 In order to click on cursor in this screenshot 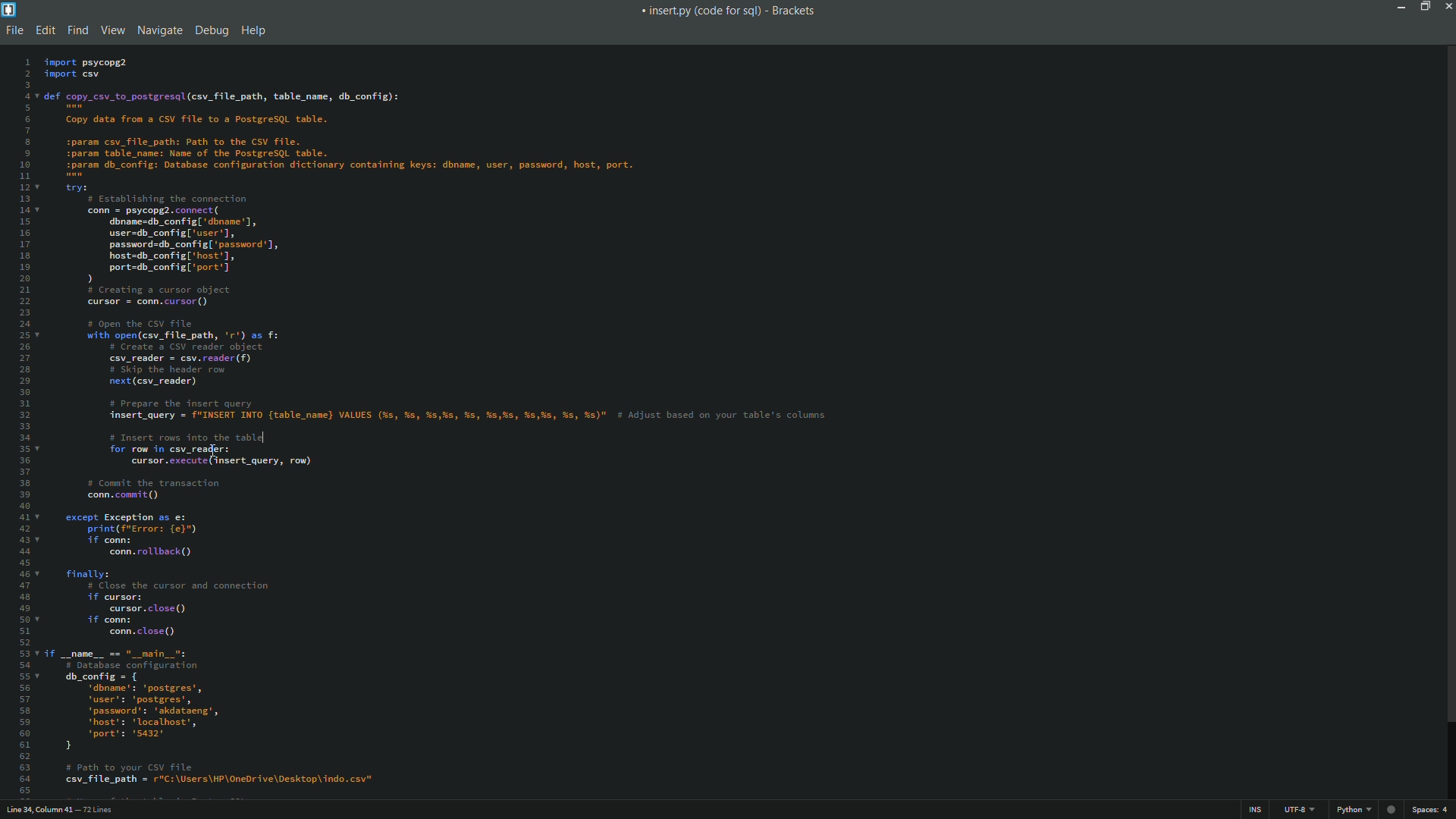, I will do `click(213, 451)`.